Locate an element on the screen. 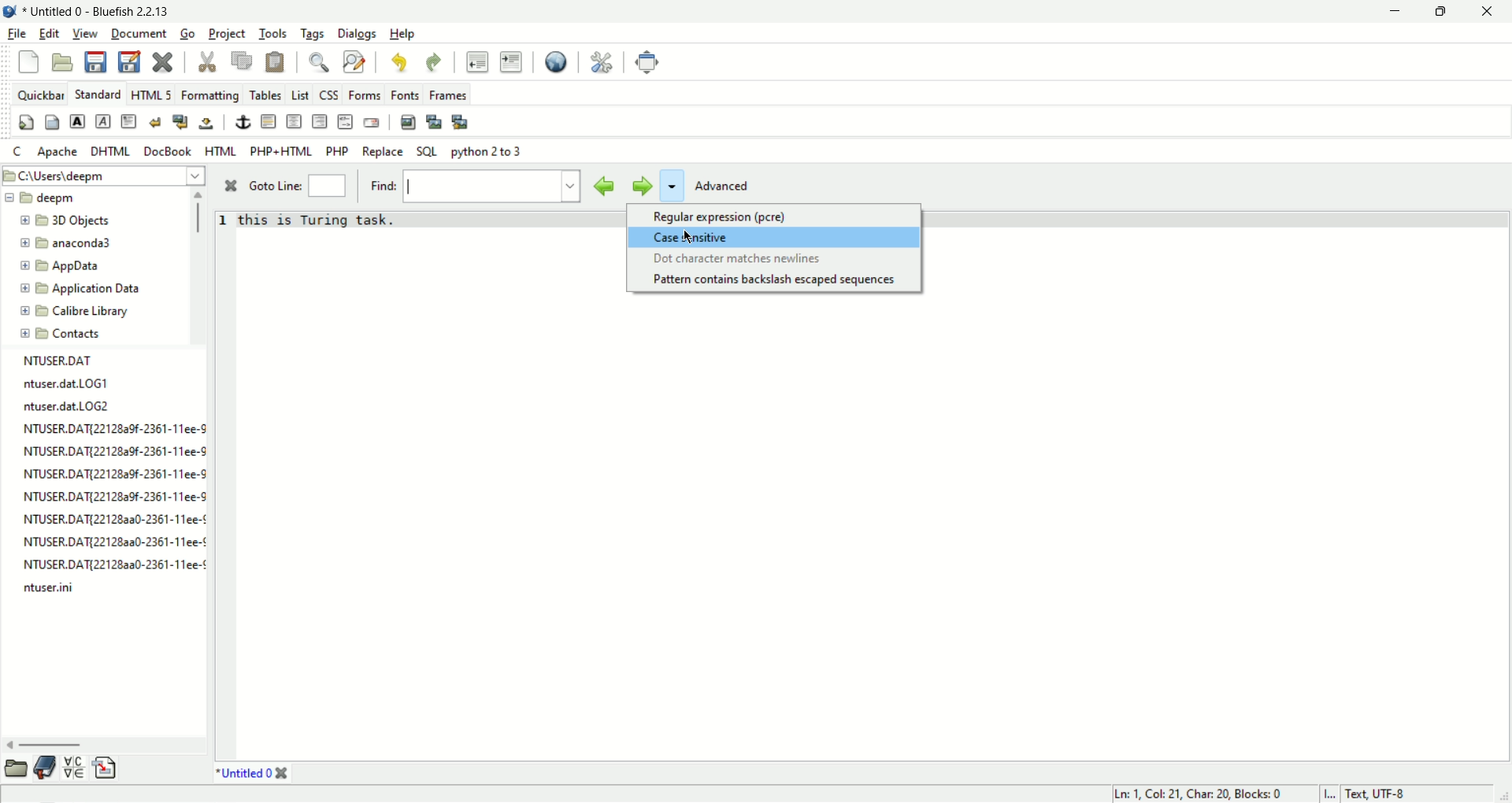 The height and width of the screenshot is (803, 1512). find and replace is located at coordinates (354, 62).